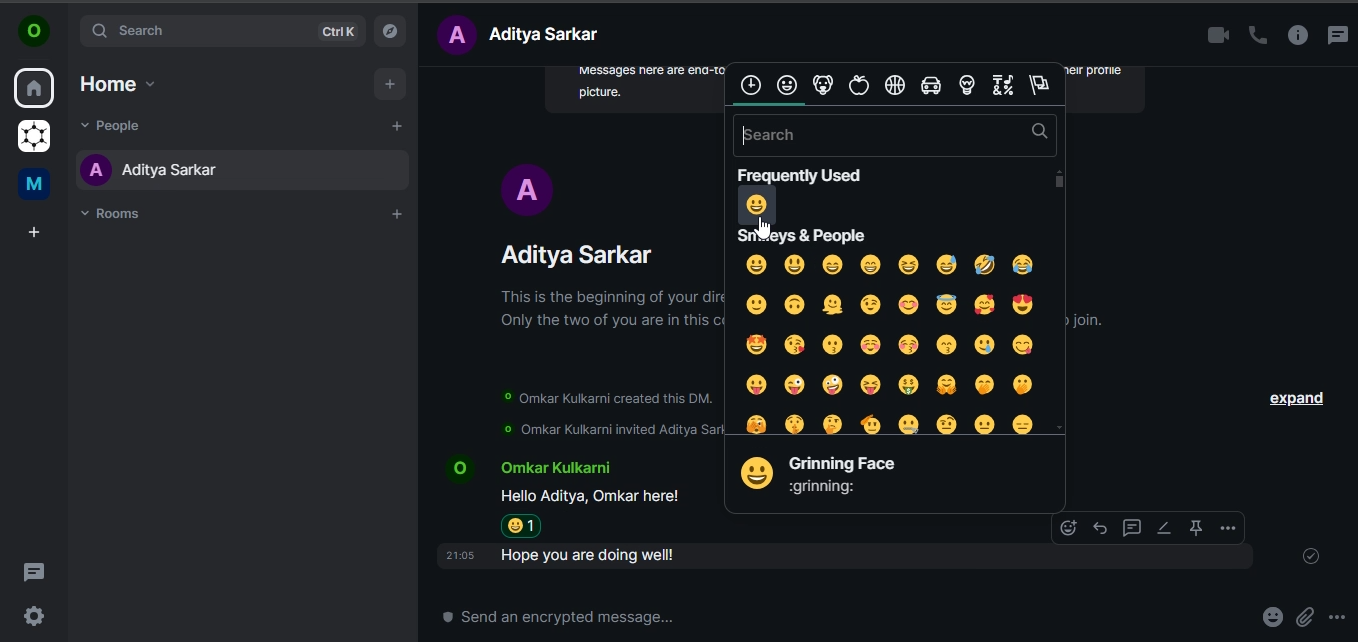  I want to click on frequently used, so click(804, 173).